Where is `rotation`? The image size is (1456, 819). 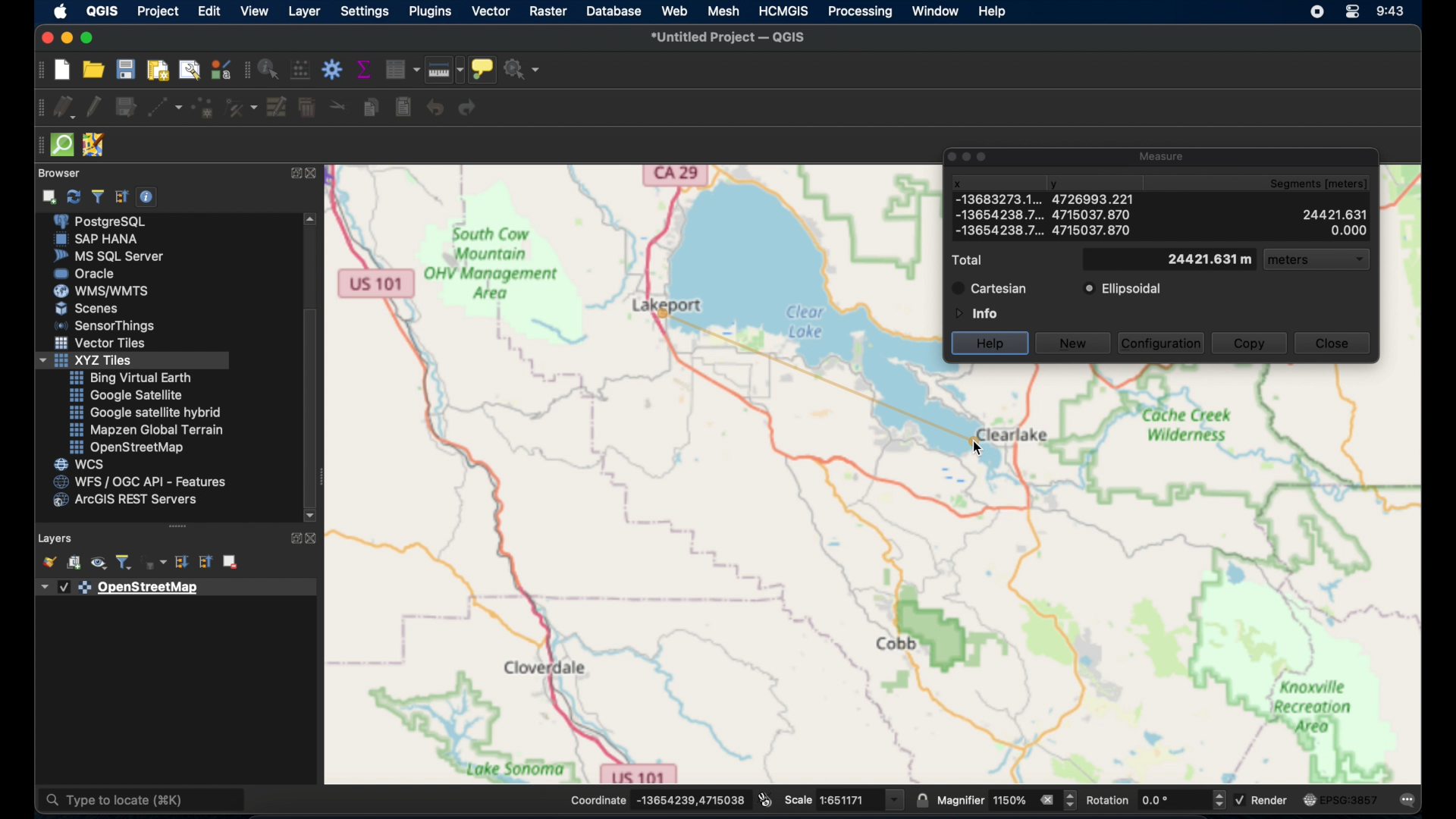
rotation is located at coordinates (1156, 799).